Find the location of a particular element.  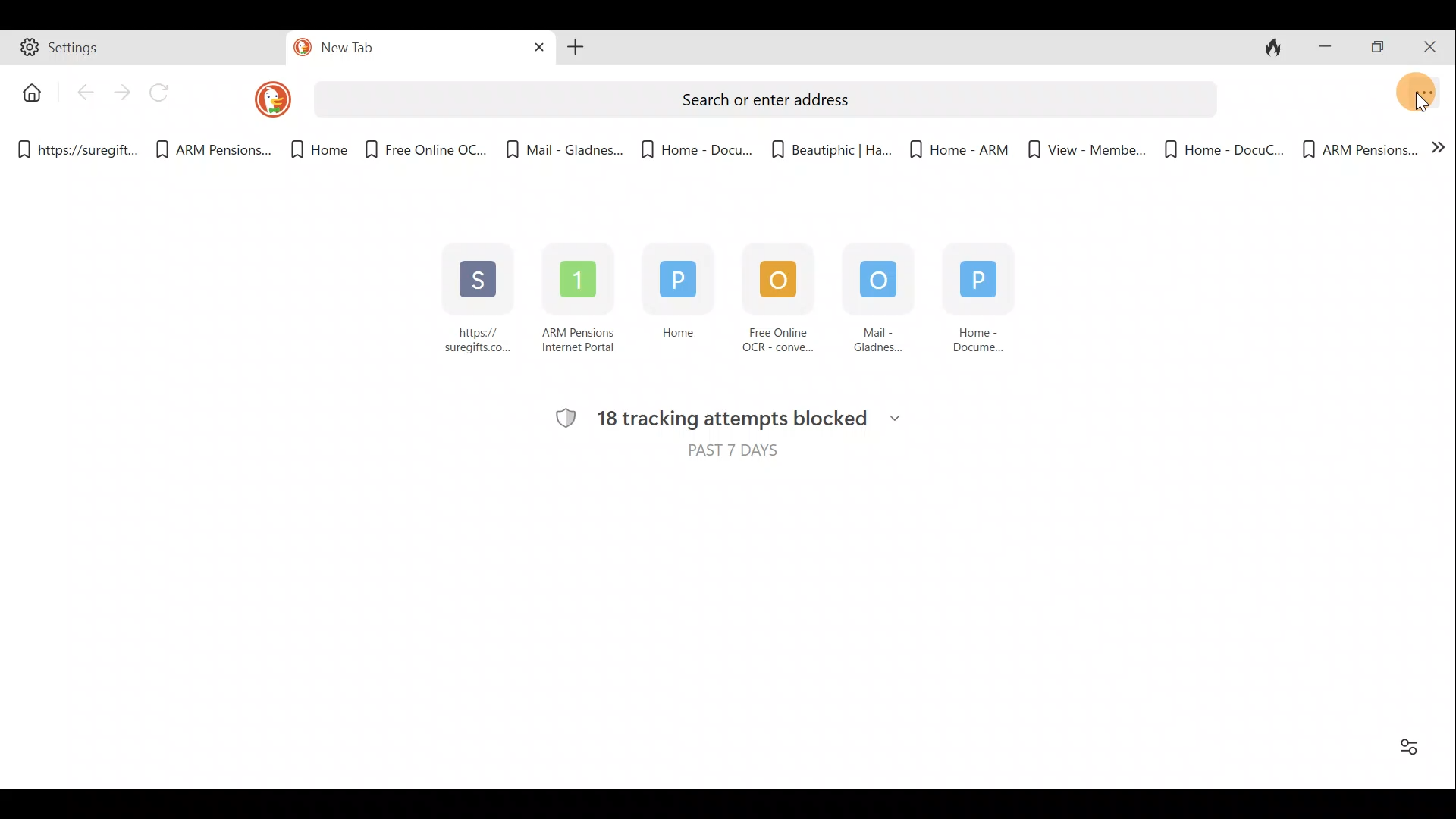

Add tab is located at coordinates (576, 49).